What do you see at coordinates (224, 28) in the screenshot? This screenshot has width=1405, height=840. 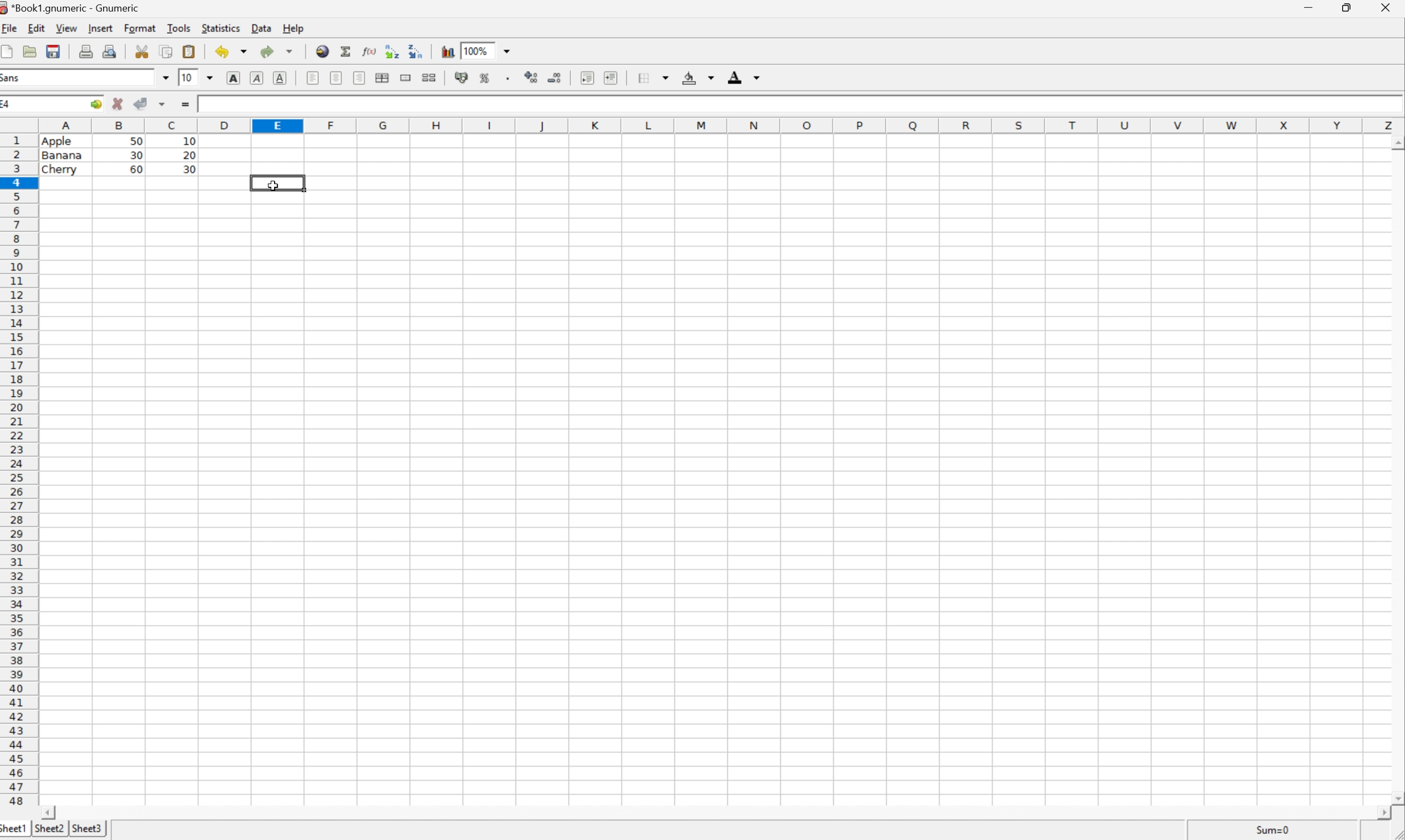 I see `statistics` at bounding box center [224, 28].